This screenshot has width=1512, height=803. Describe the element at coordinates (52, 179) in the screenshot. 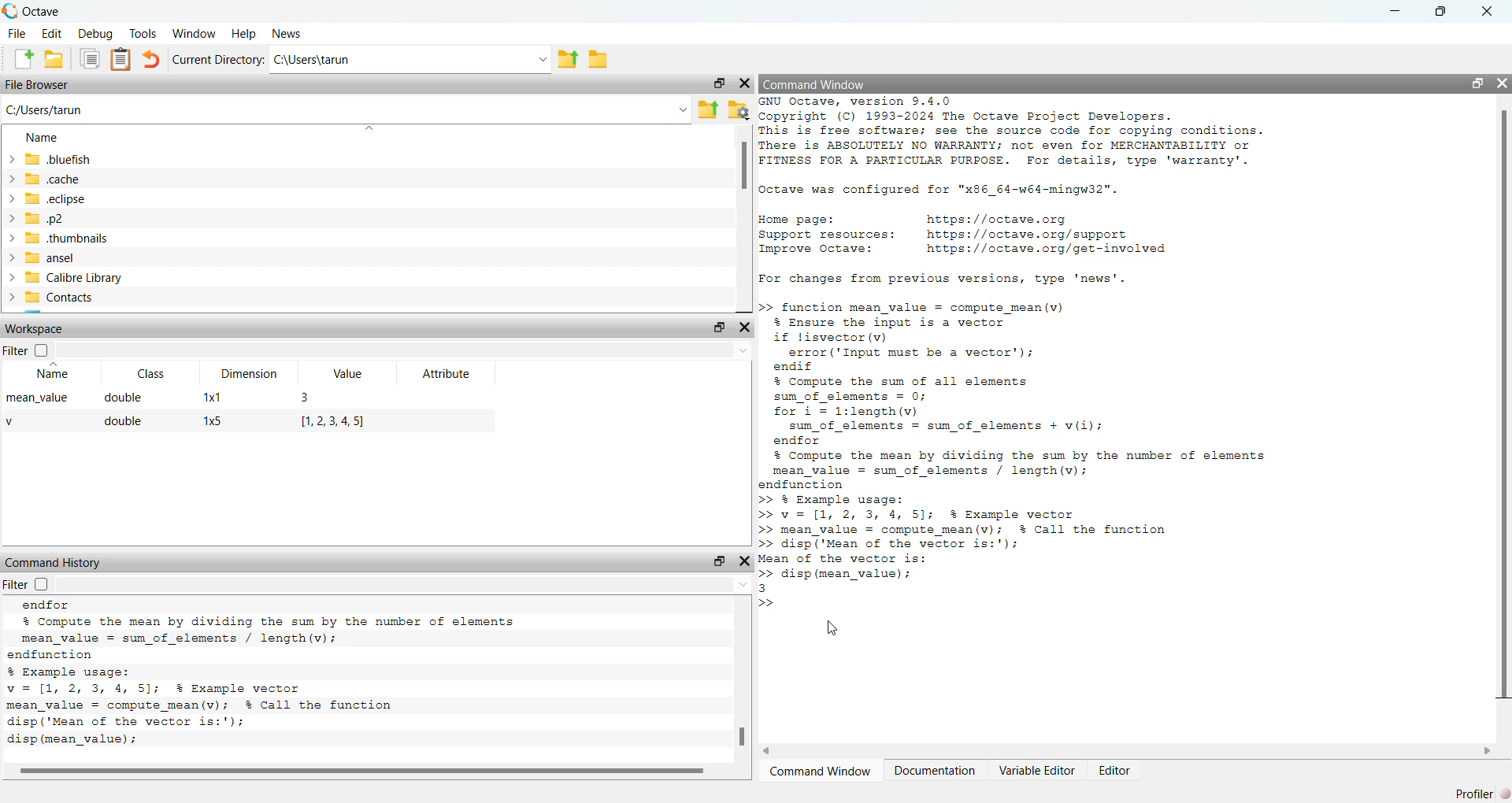

I see `.cache` at that location.